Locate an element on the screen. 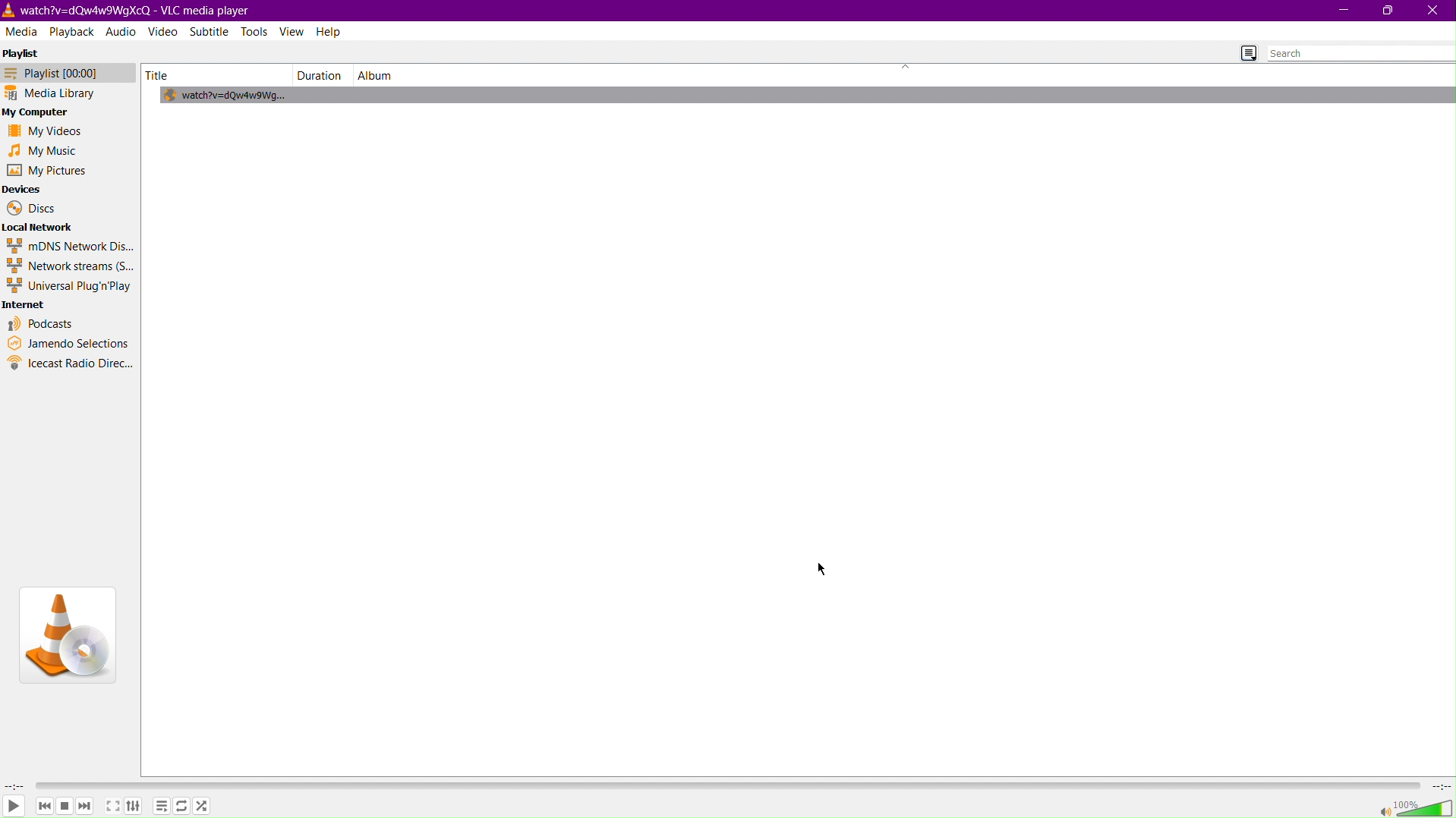  Subtitle is located at coordinates (213, 32).